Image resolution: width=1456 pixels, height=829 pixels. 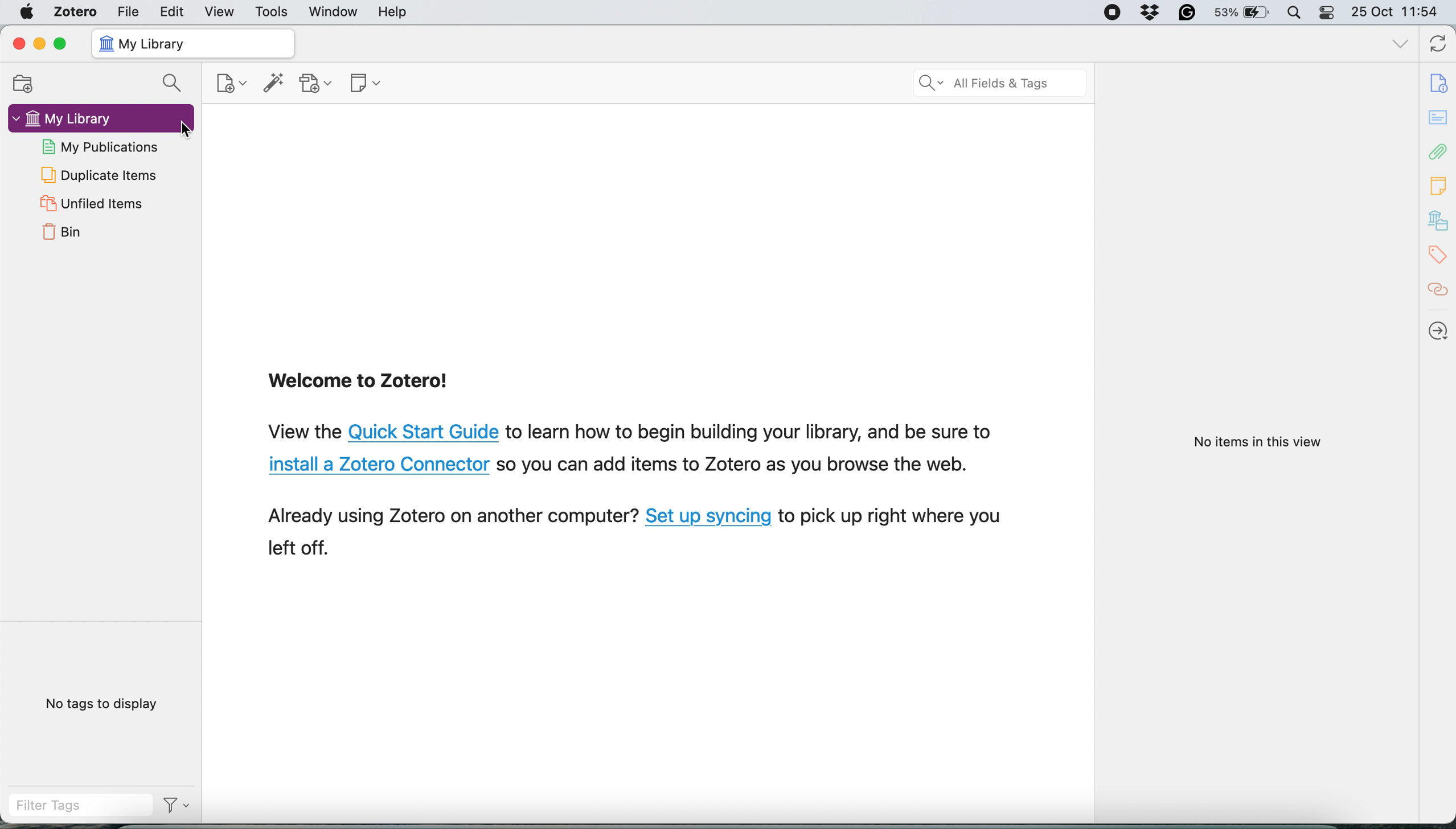 I want to click on my library, so click(x=99, y=117).